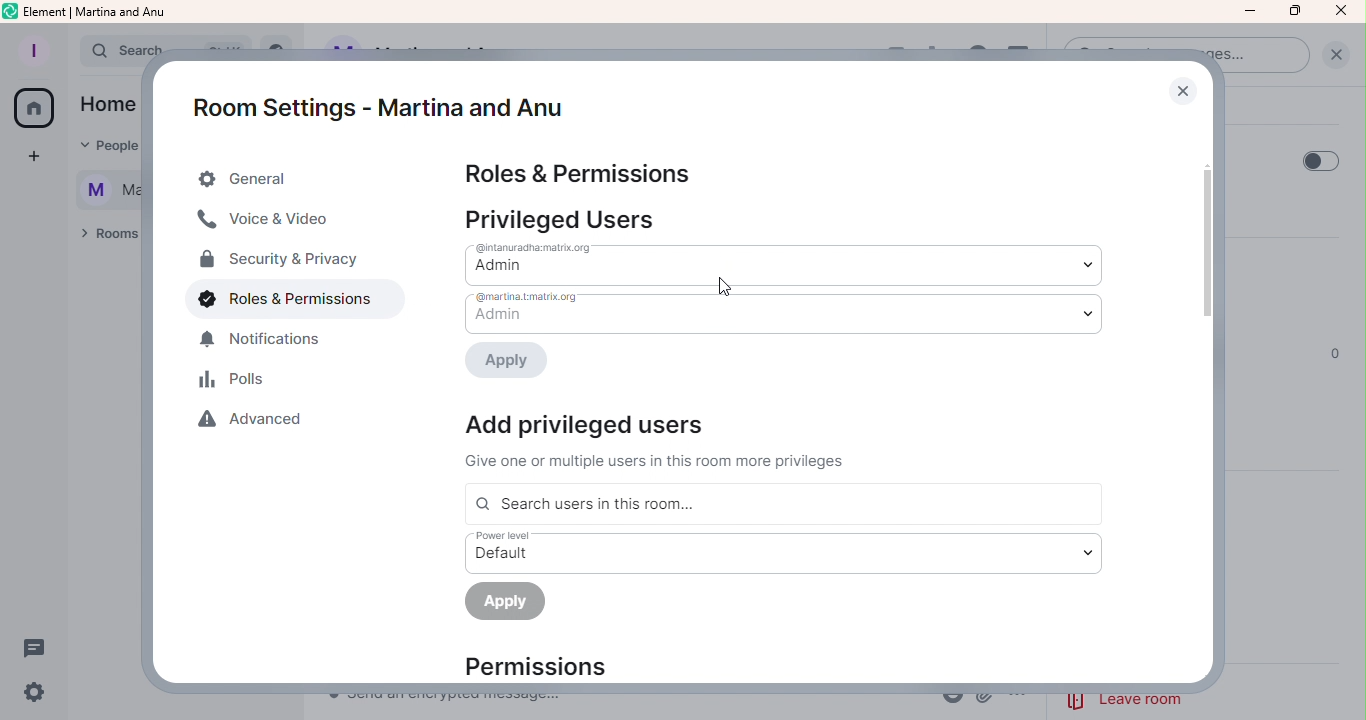  I want to click on Room settings - Martina and Anu, so click(371, 96).